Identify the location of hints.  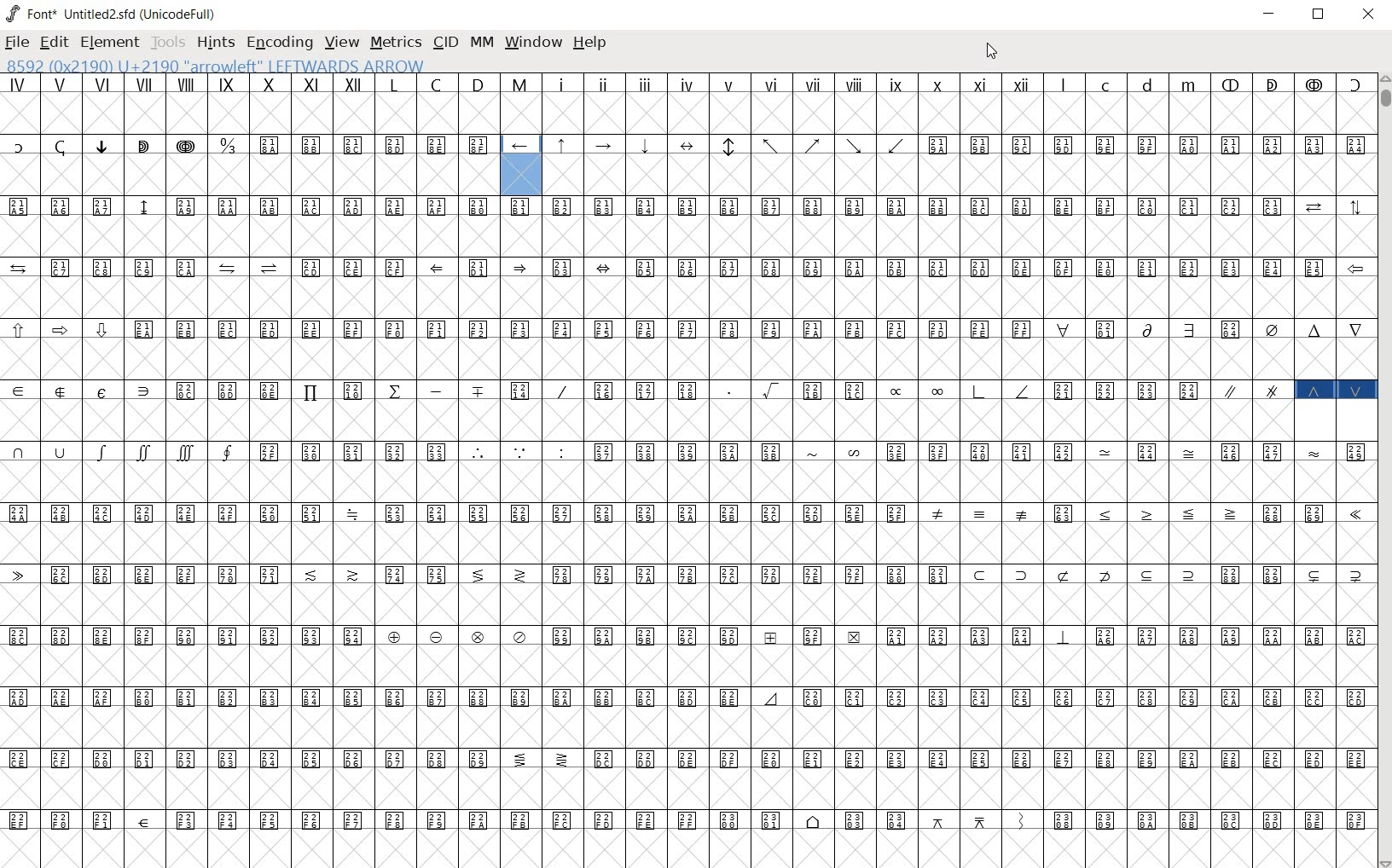
(215, 43).